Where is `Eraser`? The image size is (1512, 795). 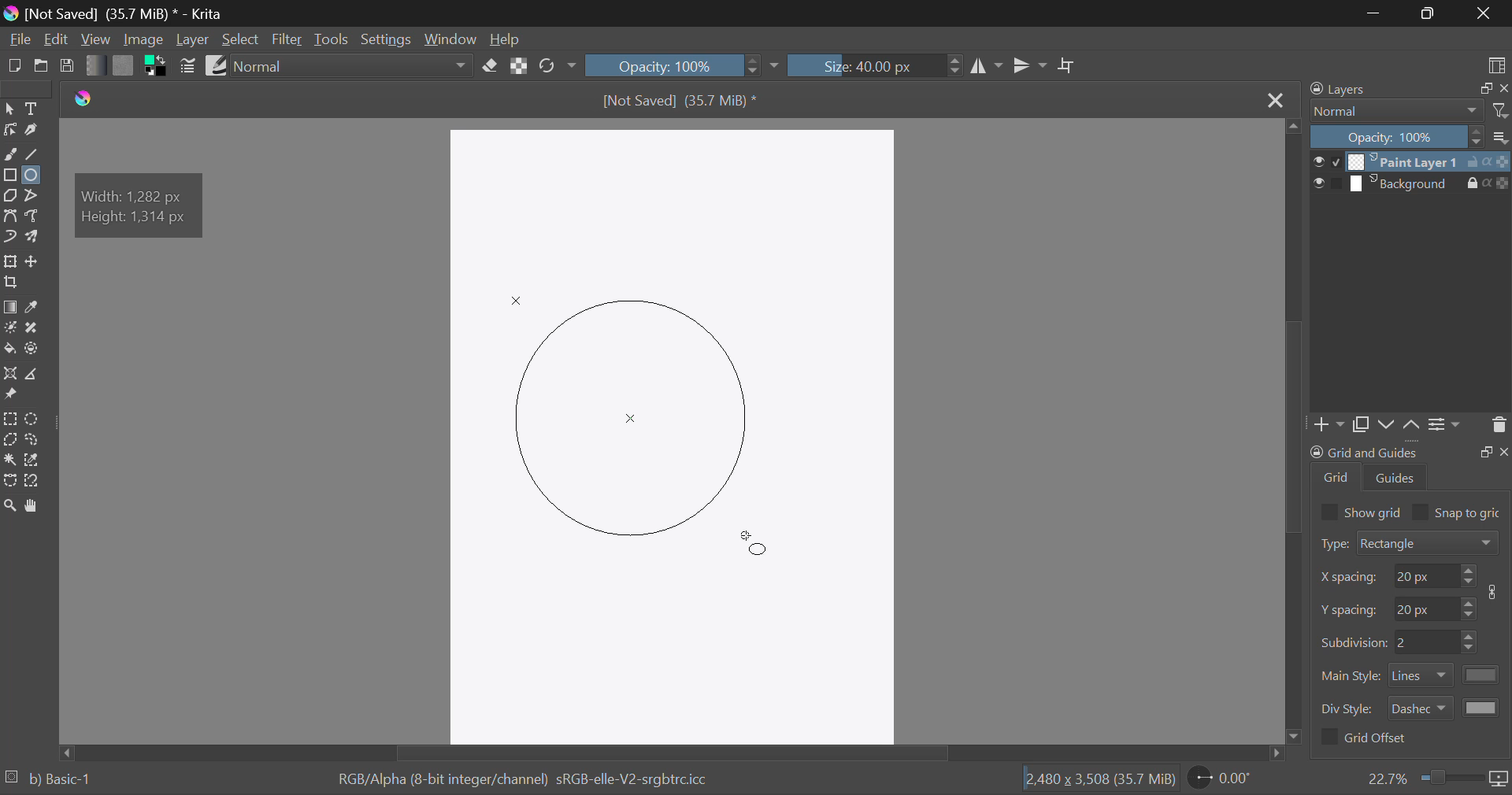
Eraser is located at coordinates (491, 66).